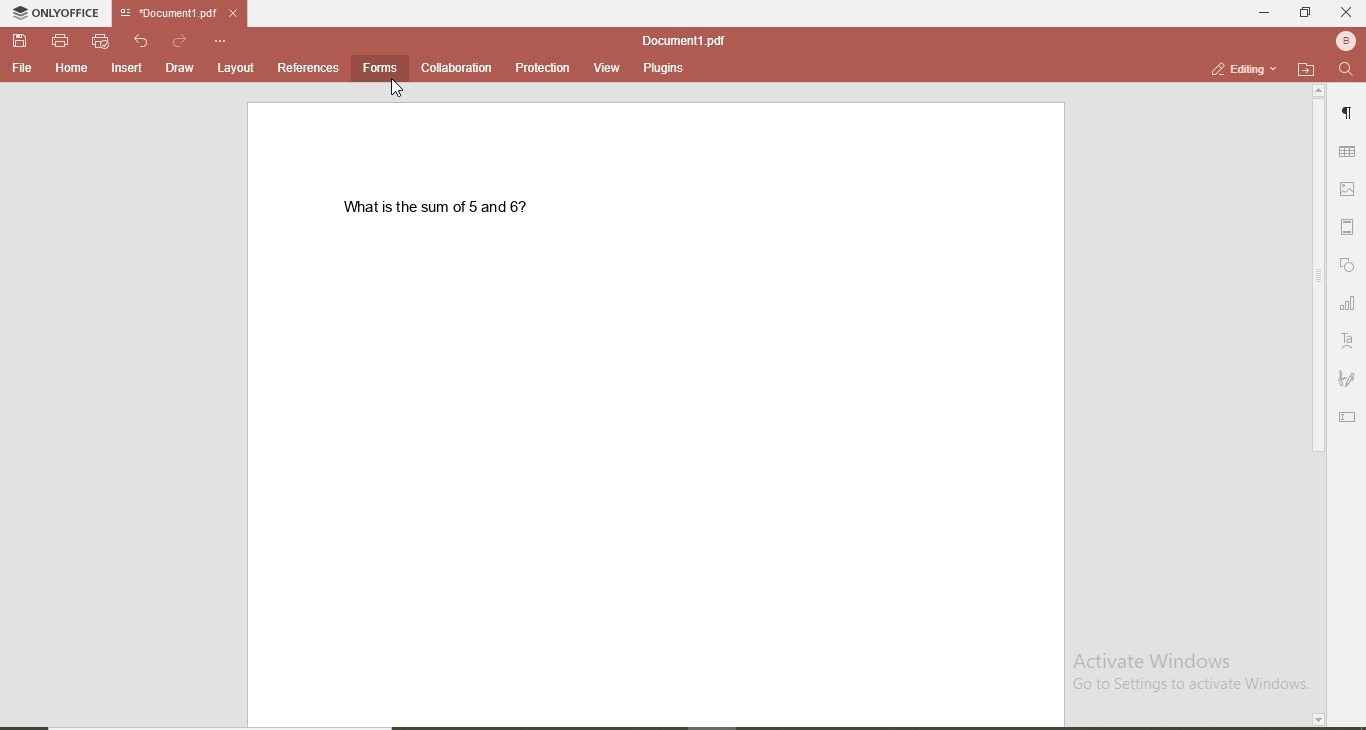 The width and height of the screenshot is (1366, 730). I want to click on print, so click(58, 40).